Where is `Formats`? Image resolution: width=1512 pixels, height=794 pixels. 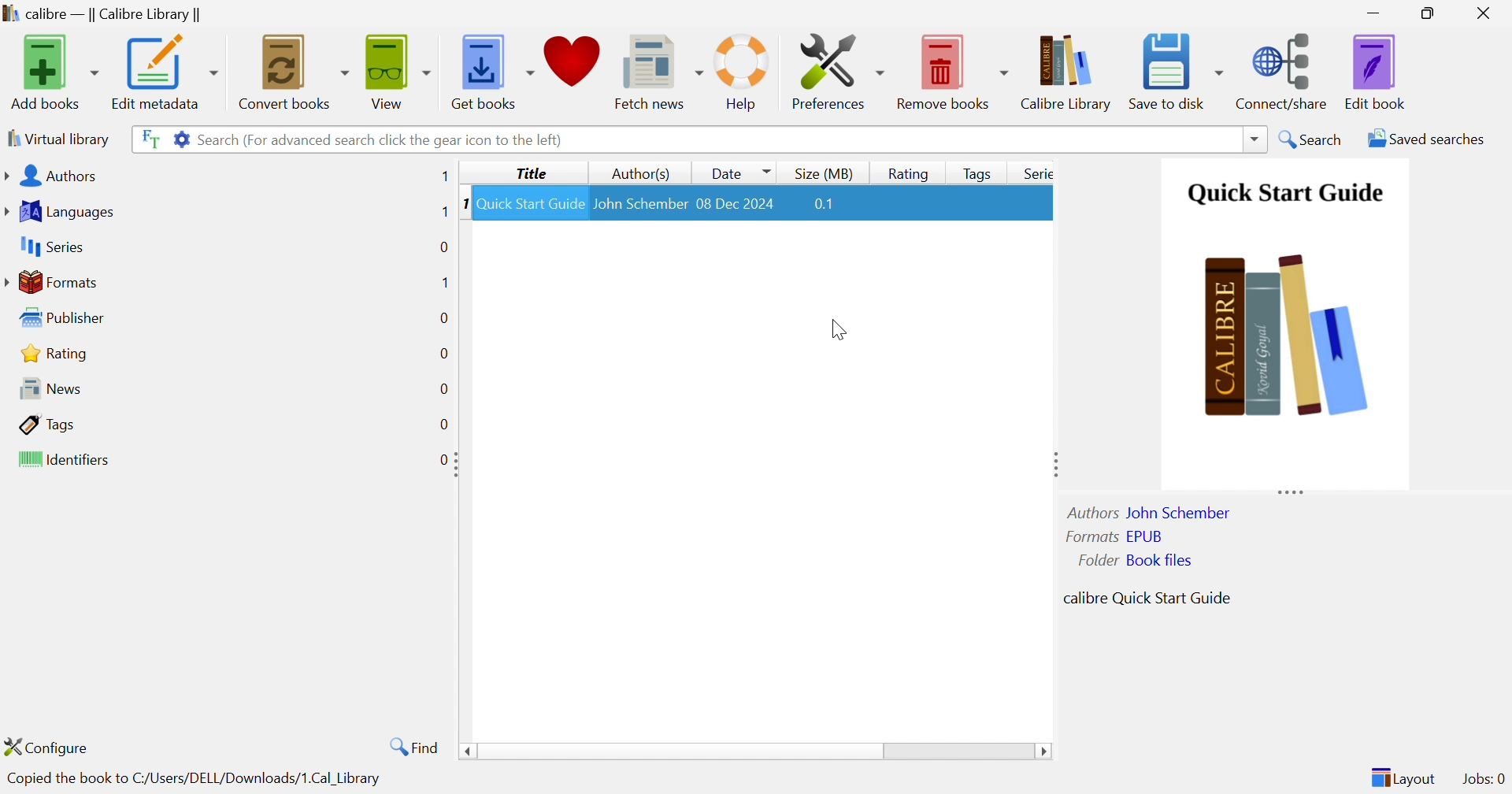
Formats is located at coordinates (52, 280).